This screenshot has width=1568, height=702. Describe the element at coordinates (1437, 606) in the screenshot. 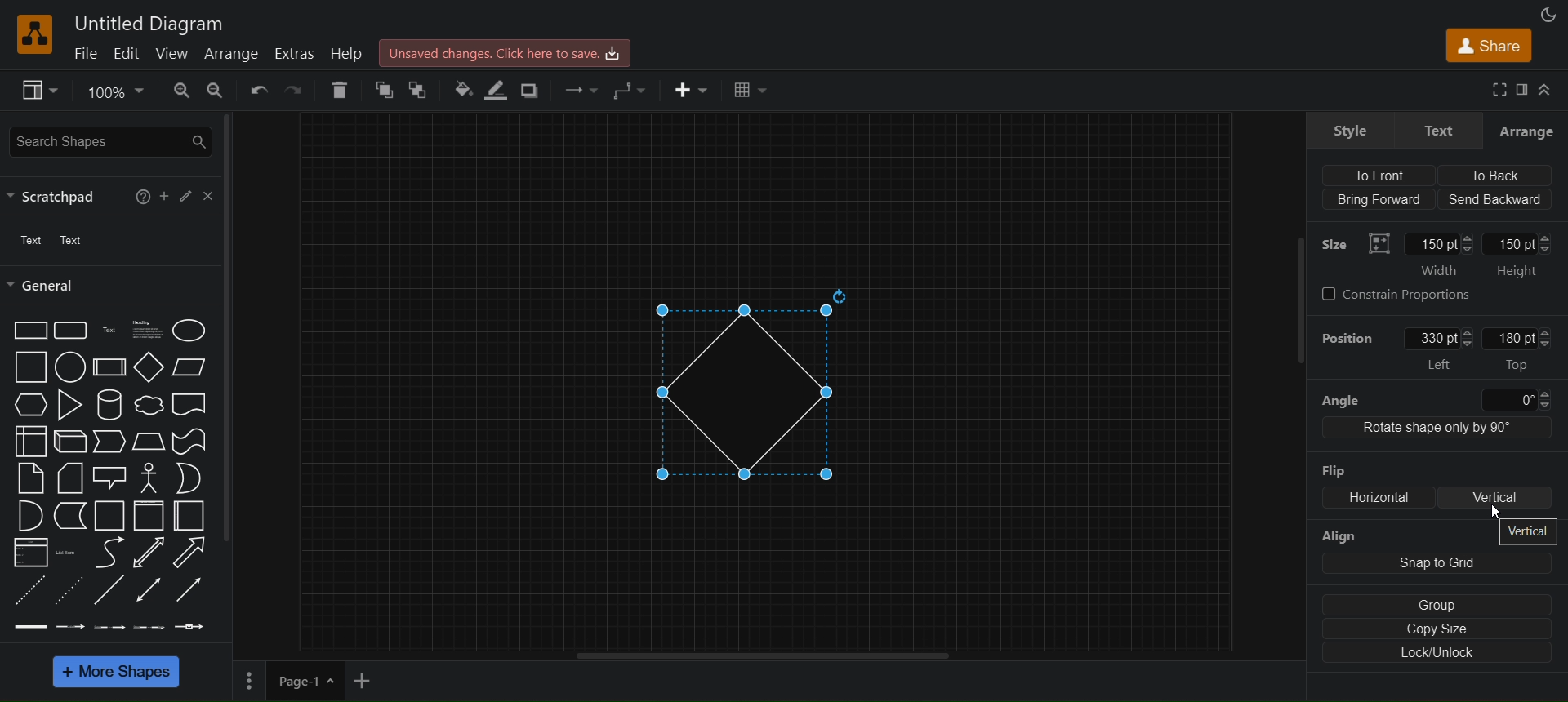

I see `group` at that location.